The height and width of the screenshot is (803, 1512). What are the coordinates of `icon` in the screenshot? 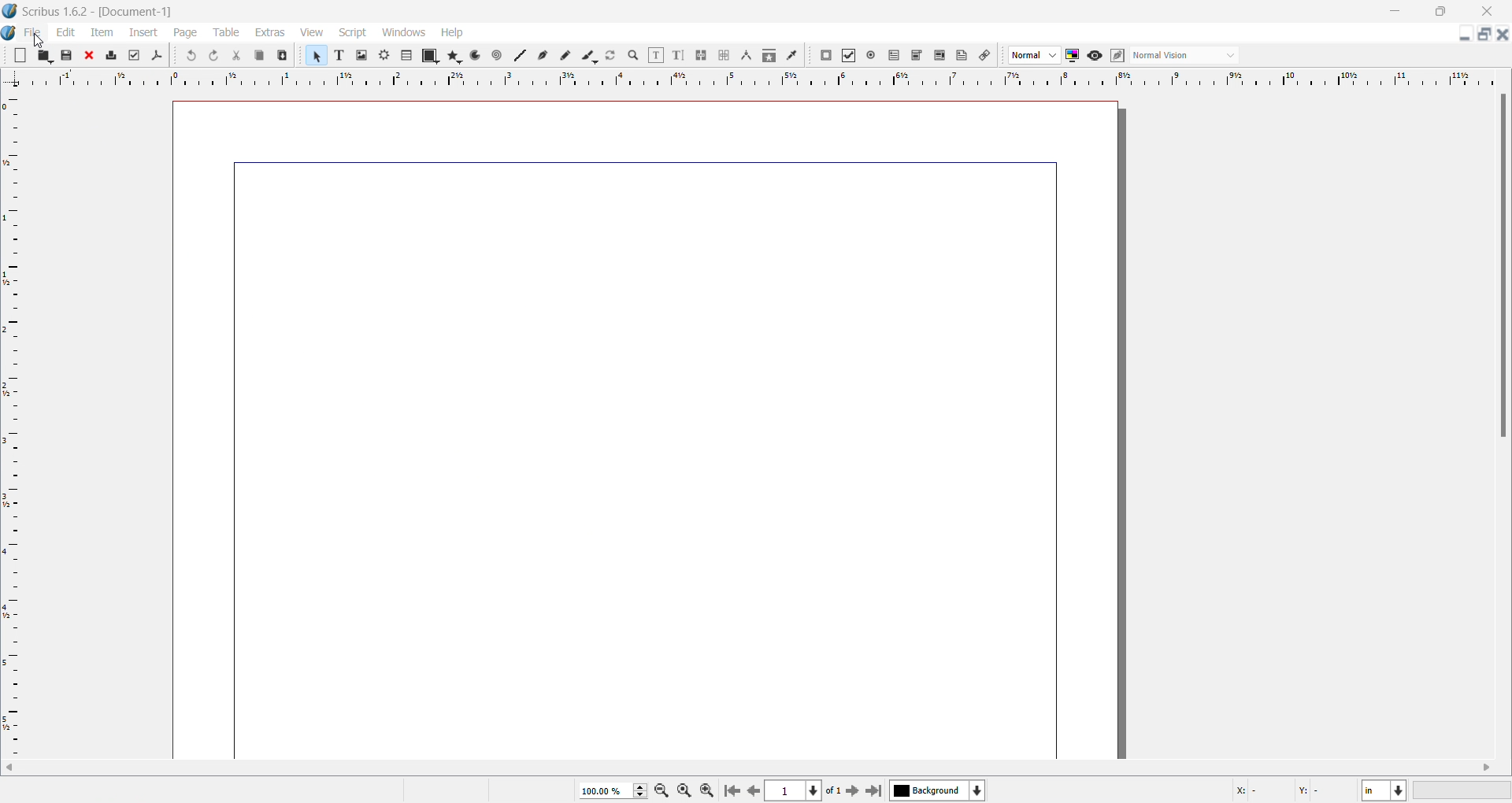 It's located at (745, 56).